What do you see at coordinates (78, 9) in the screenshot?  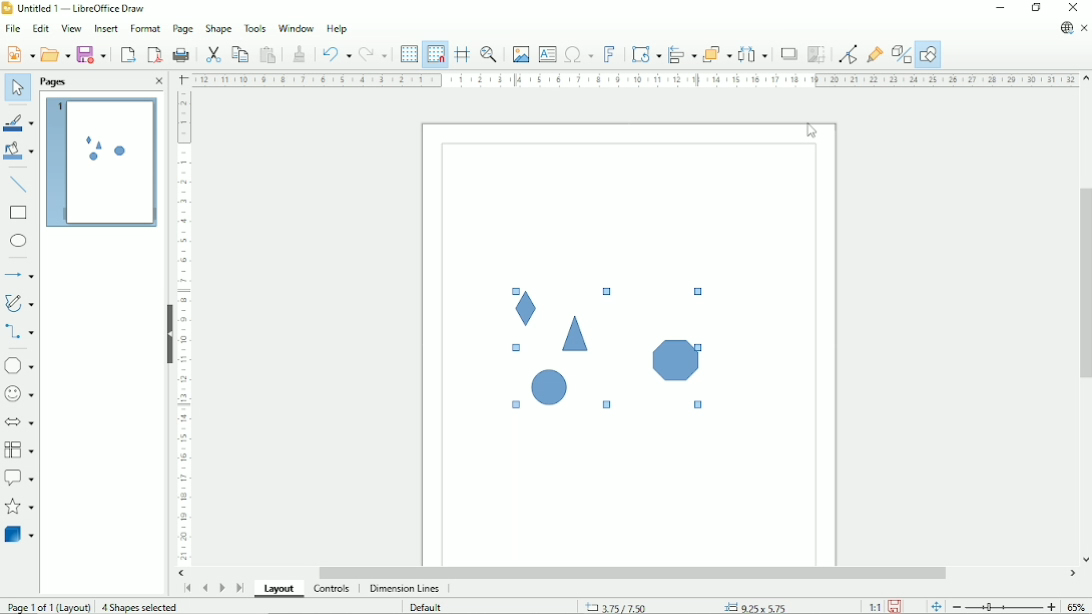 I see `Title` at bounding box center [78, 9].